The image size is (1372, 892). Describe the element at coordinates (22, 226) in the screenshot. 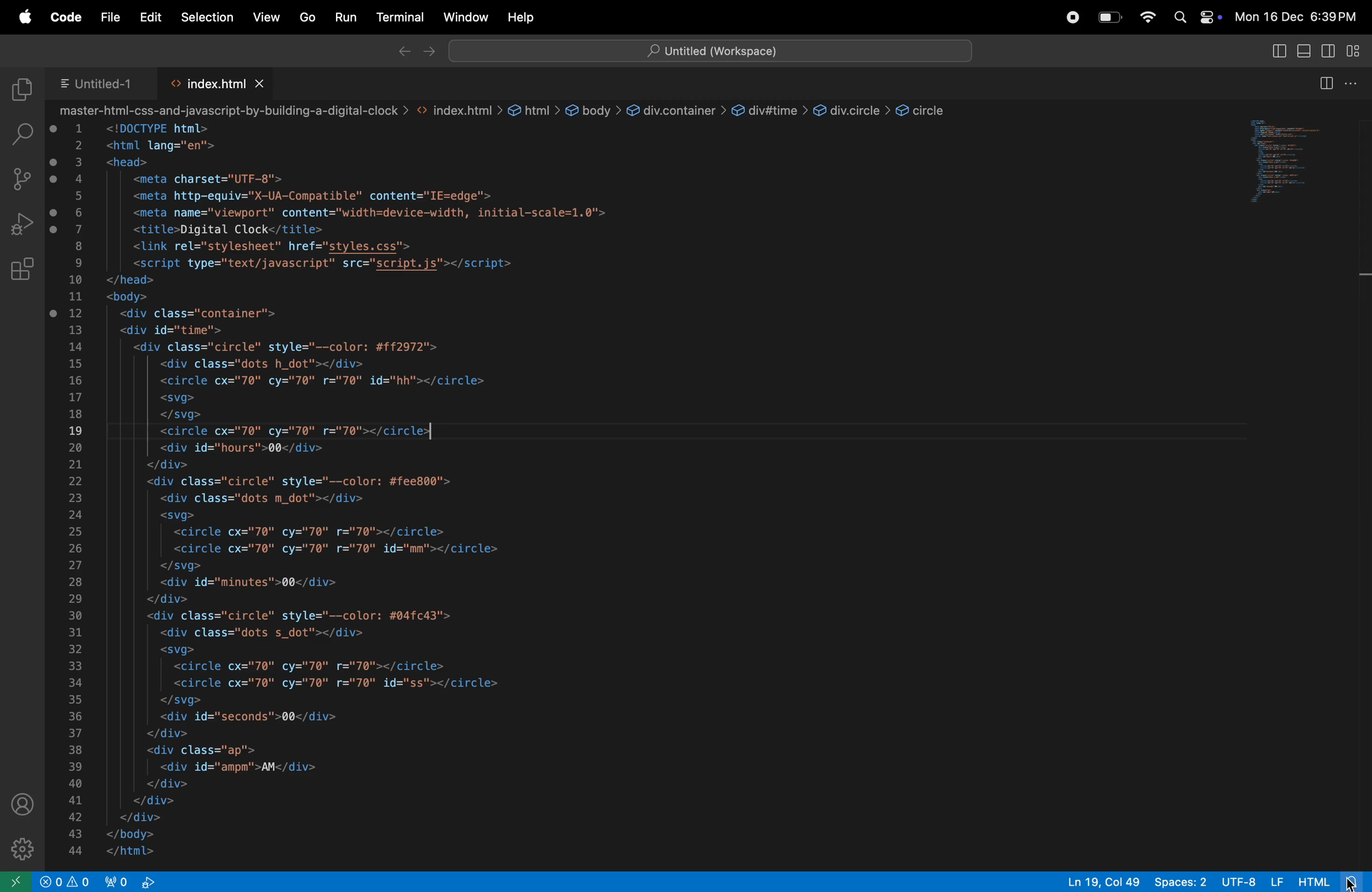

I see `run debug` at that location.